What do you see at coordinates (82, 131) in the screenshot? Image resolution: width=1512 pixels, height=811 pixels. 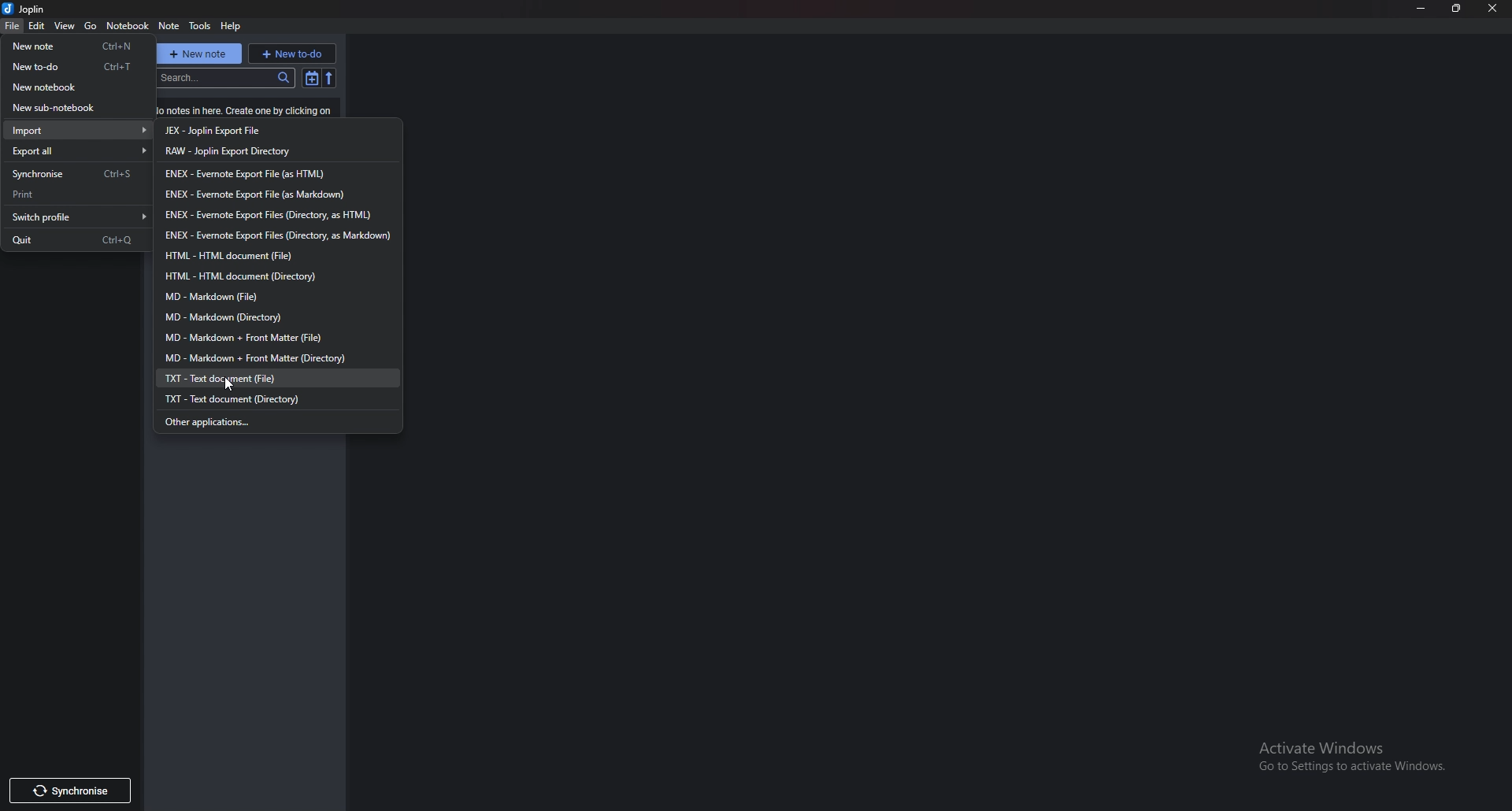 I see `Import` at bounding box center [82, 131].